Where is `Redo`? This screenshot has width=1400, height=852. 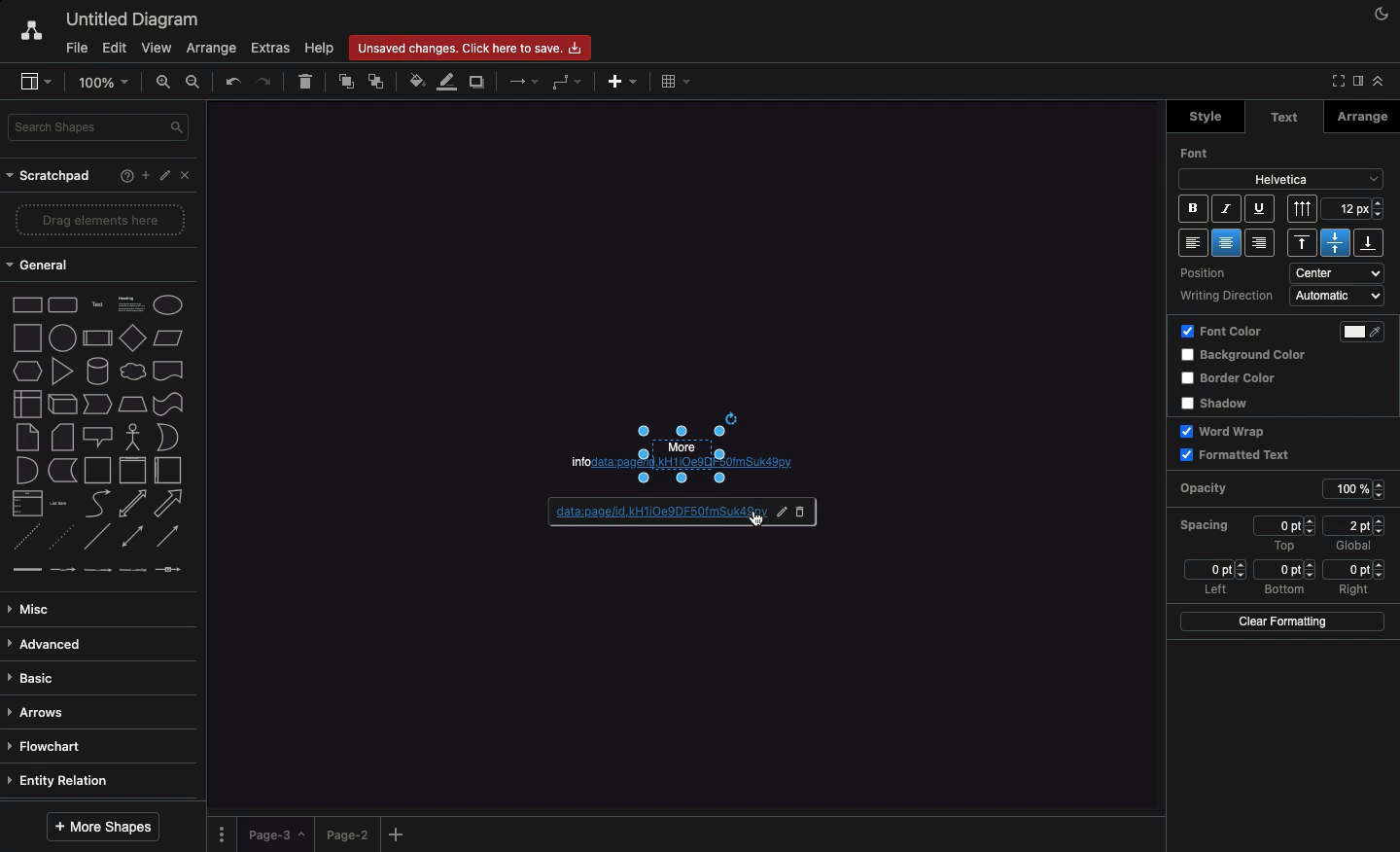 Redo is located at coordinates (264, 80).